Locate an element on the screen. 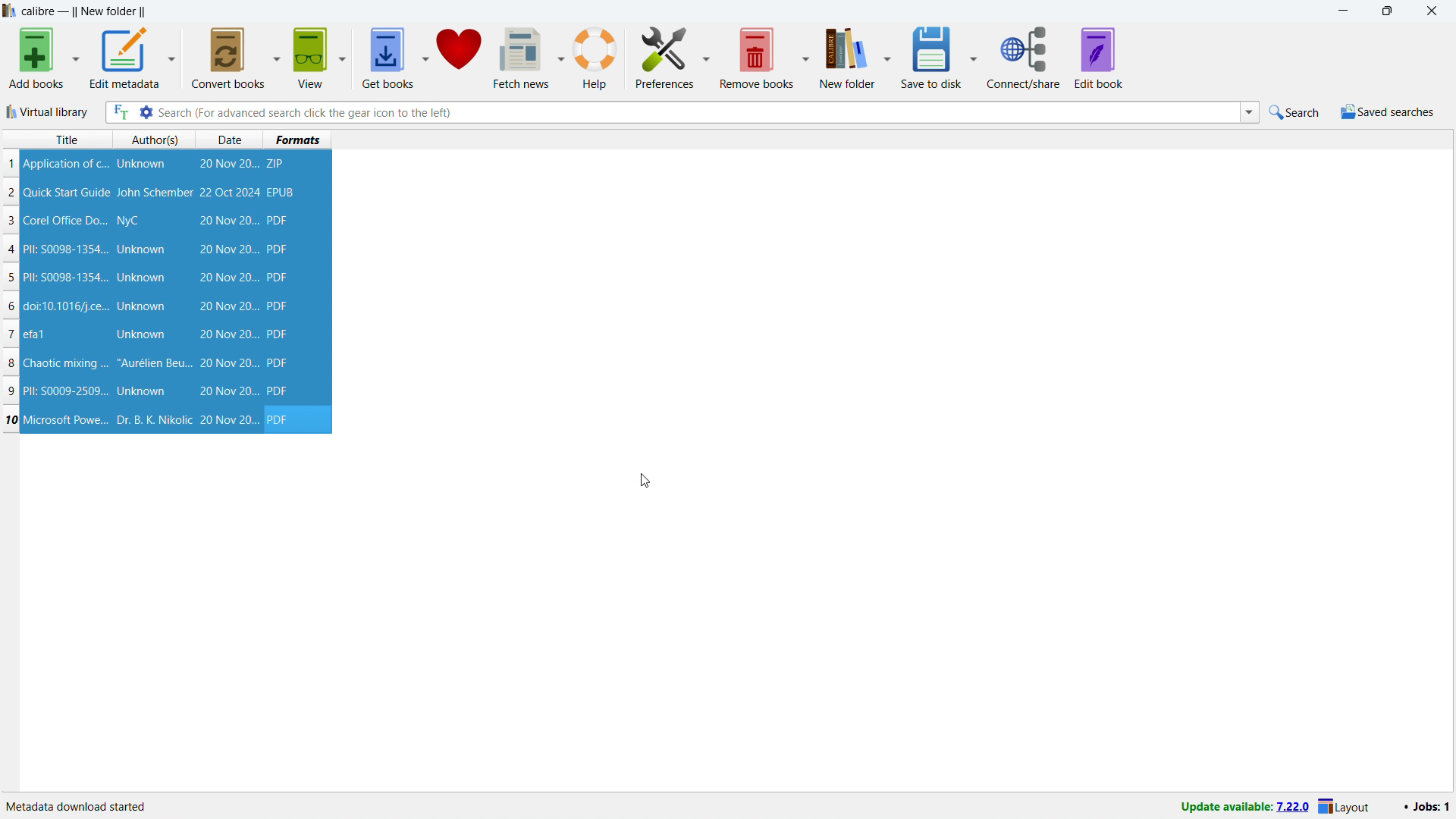 Image resolution: width=1456 pixels, height=819 pixels. PII: S0009-2509... is located at coordinates (67, 390).